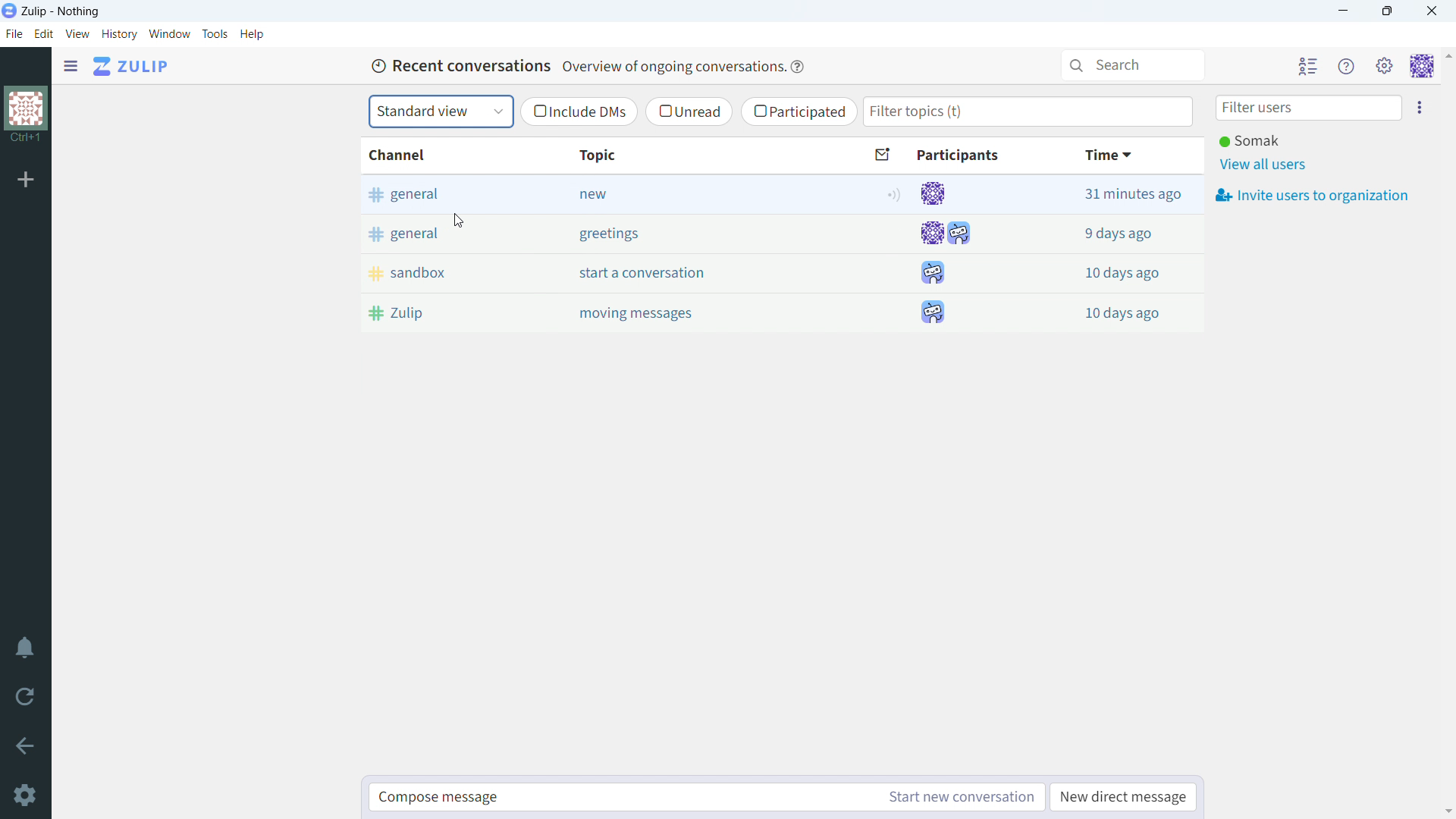 The width and height of the screenshot is (1456, 819). What do you see at coordinates (1124, 313) in the screenshot?
I see `10 days ago` at bounding box center [1124, 313].